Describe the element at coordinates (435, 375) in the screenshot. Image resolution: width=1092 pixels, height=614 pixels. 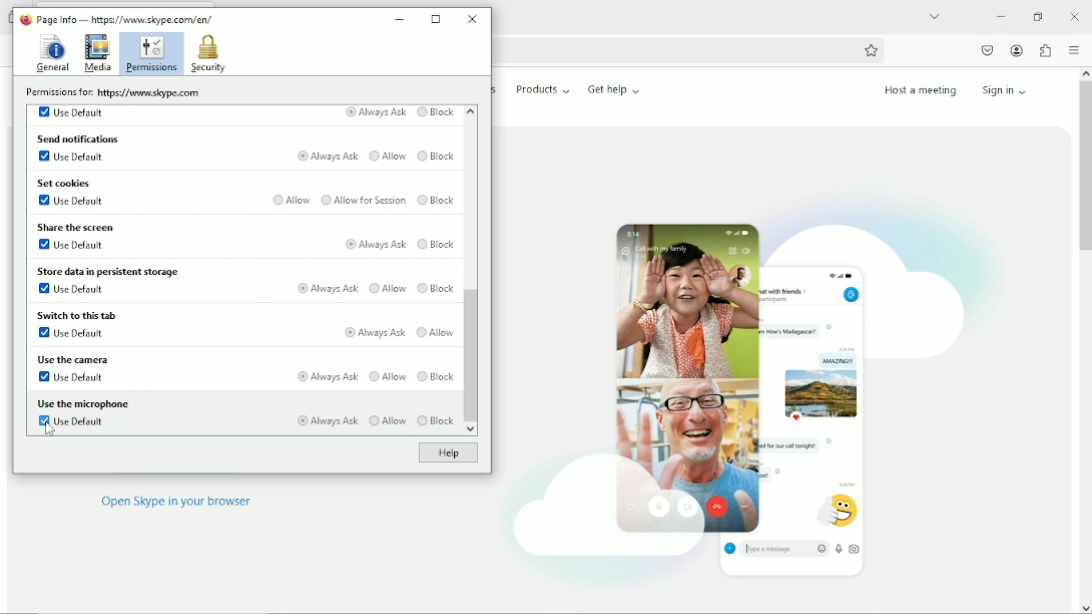
I see `Block` at that location.